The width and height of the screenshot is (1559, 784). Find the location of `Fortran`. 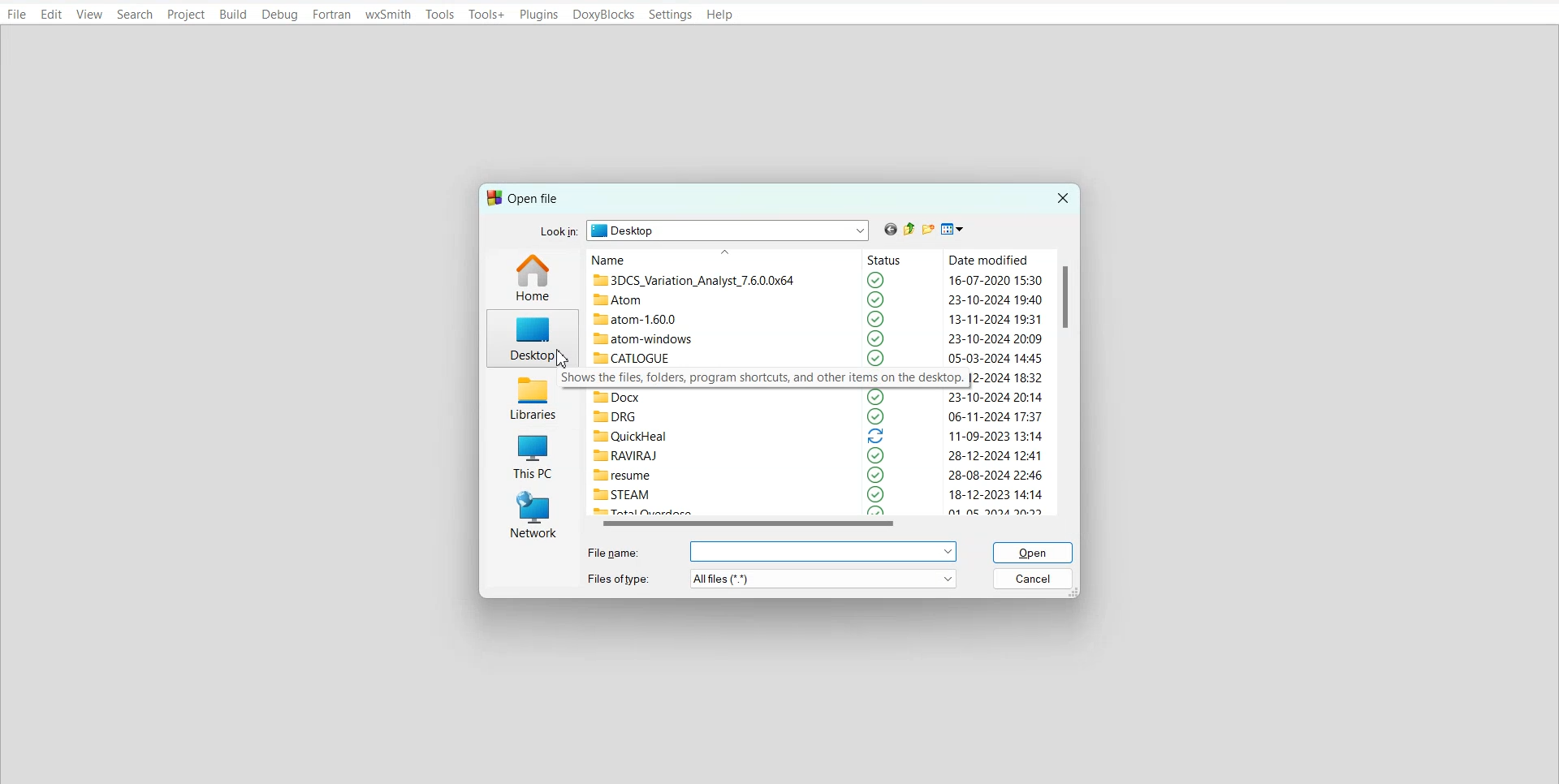

Fortran is located at coordinates (331, 15).